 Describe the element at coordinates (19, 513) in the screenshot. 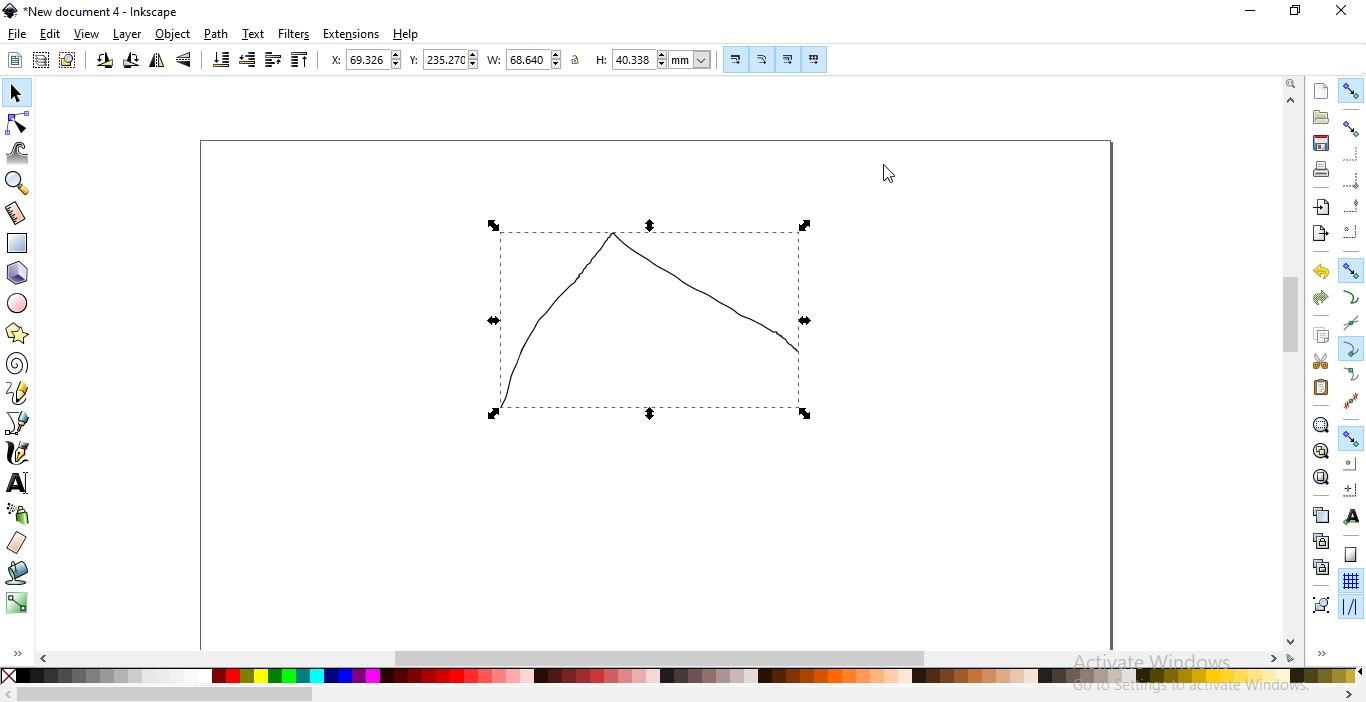

I see `spray objects by scuplting or painting` at that location.